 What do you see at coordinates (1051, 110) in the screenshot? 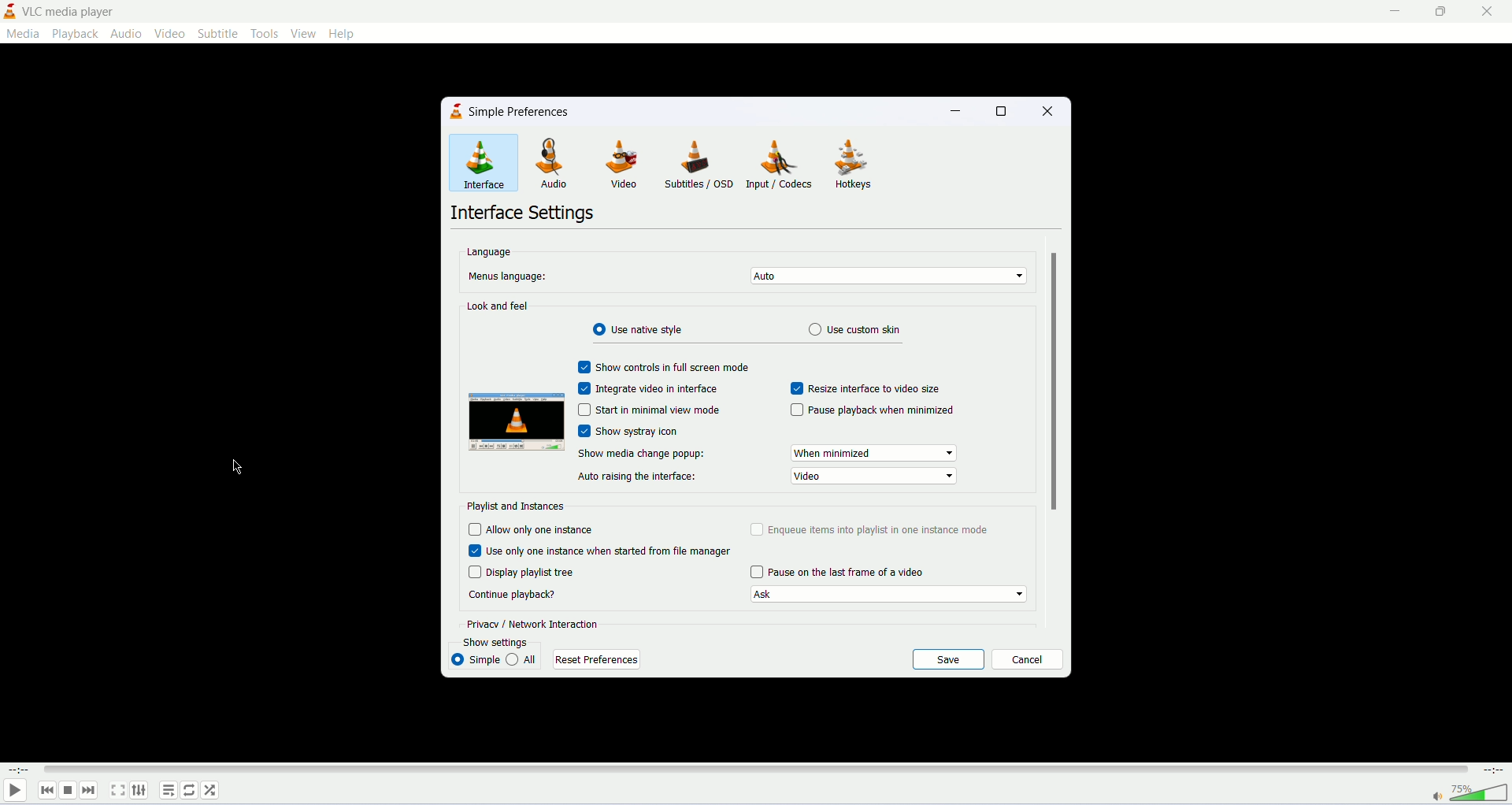
I see `close` at bounding box center [1051, 110].